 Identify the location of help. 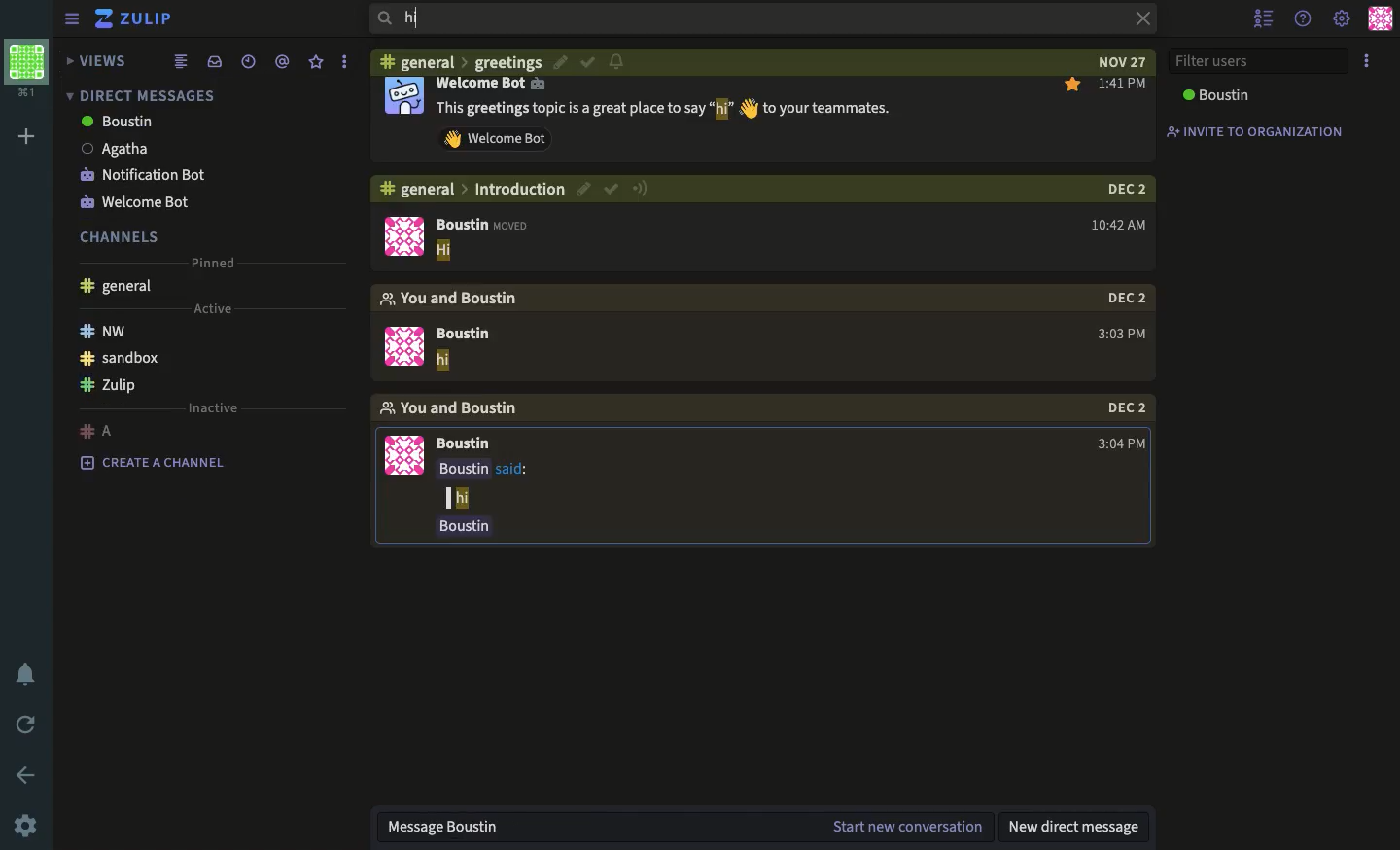
(1301, 21).